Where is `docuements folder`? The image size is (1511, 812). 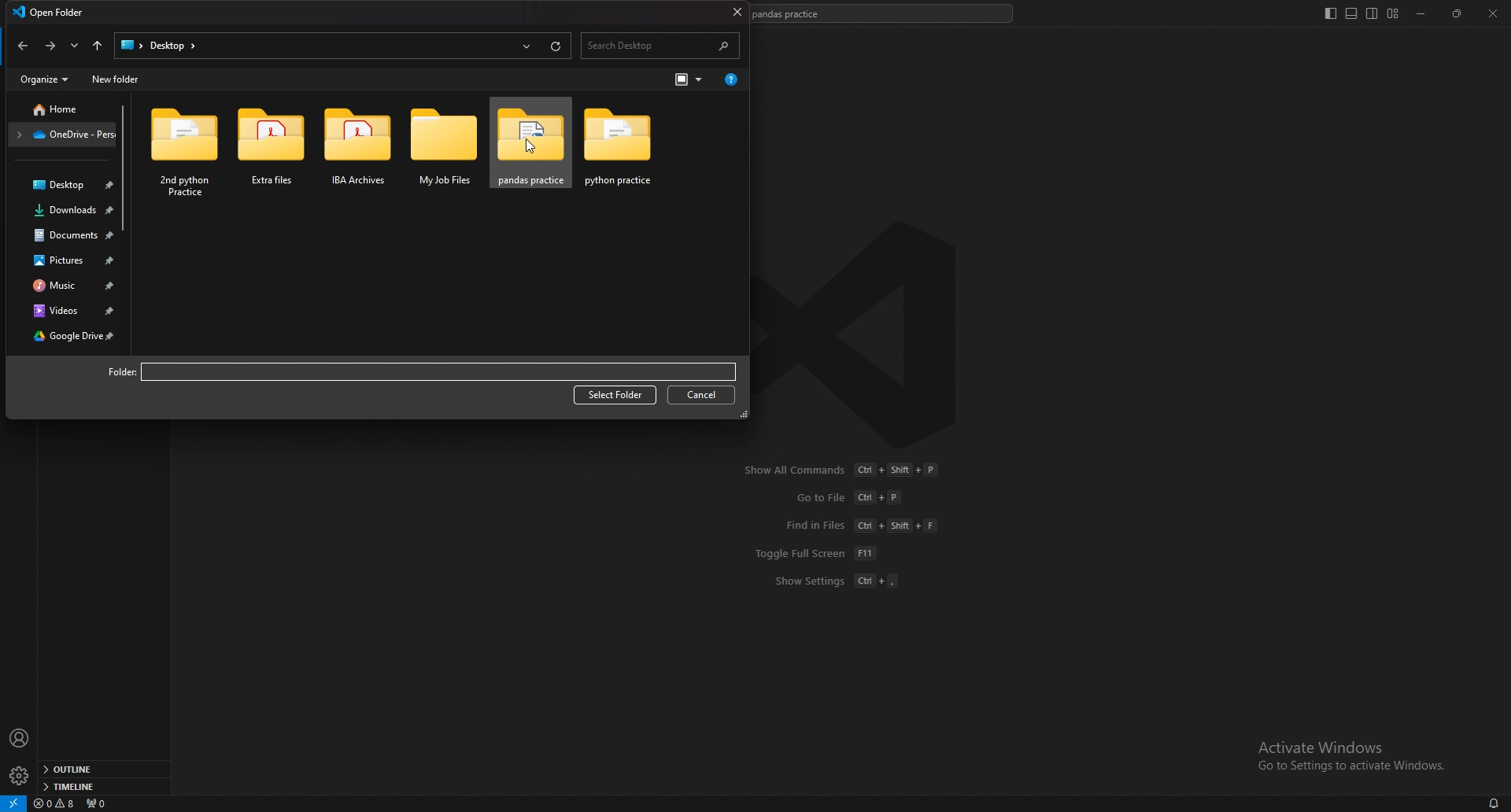
docuements folder is located at coordinates (68, 235).